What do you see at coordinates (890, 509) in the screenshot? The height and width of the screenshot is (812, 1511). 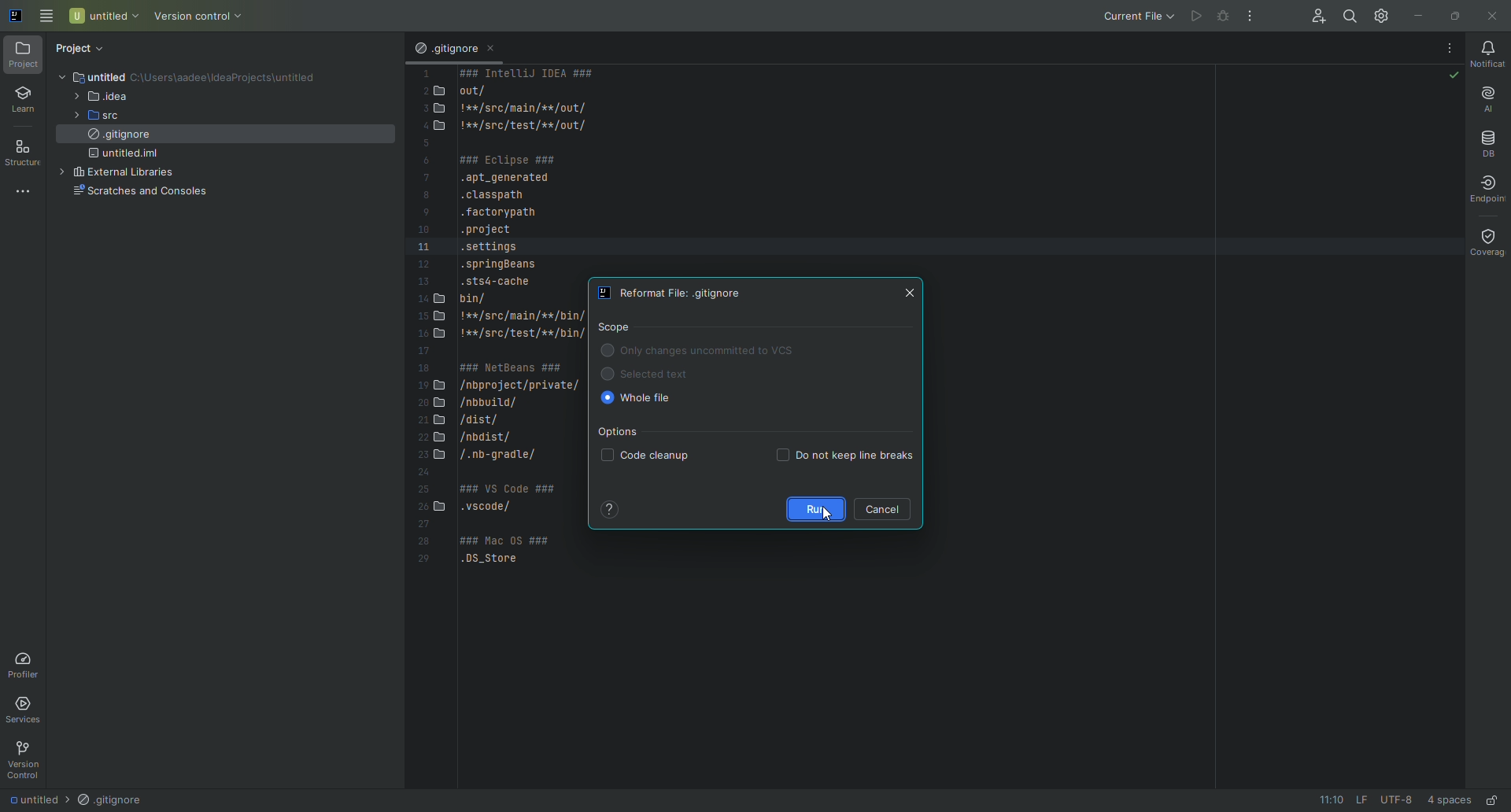 I see `Cancel` at bounding box center [890, 509].